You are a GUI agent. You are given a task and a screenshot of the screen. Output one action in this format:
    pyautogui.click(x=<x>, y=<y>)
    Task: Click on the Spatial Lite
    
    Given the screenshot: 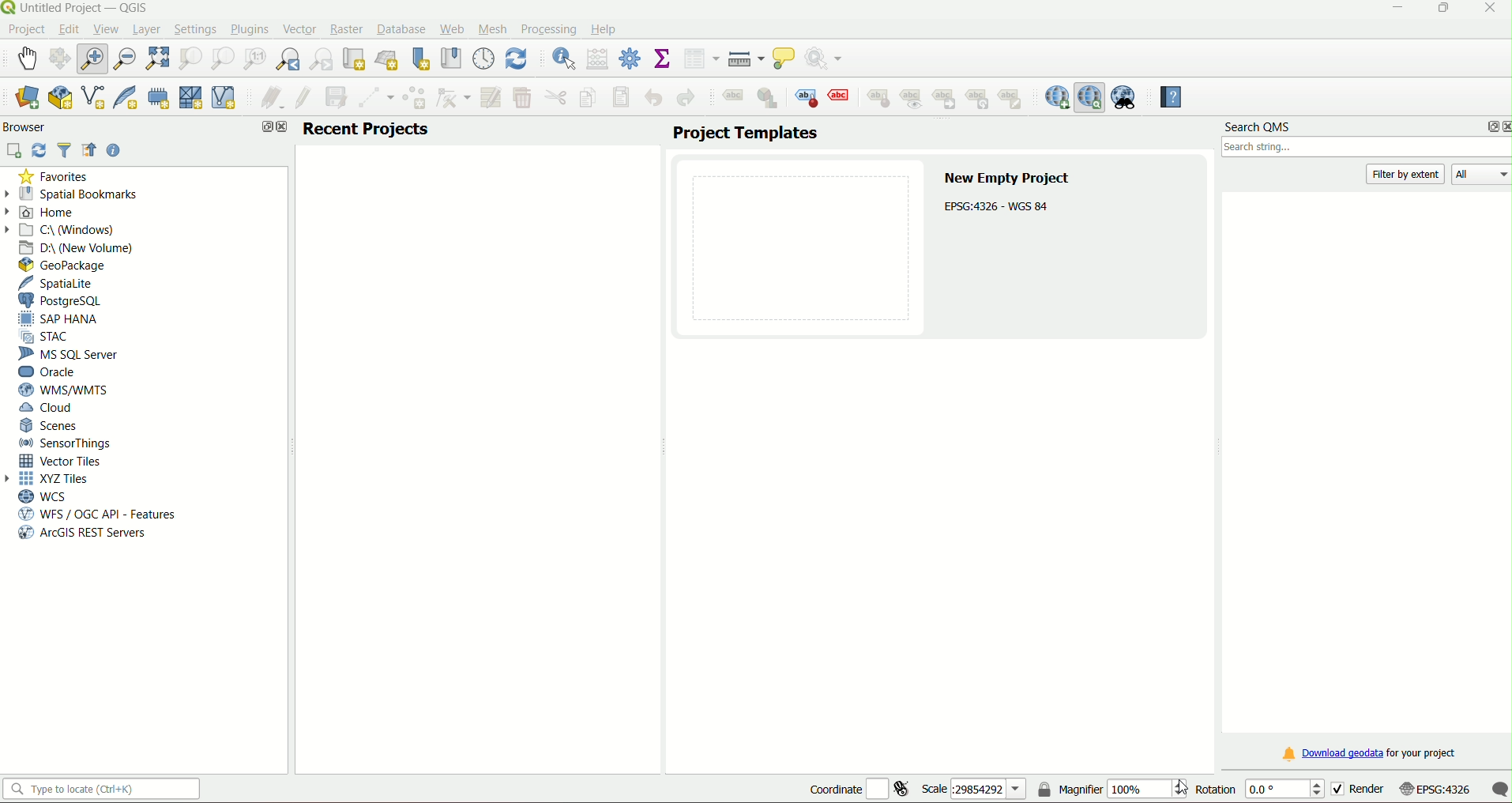 What is the action you would take?
    pyautogui.click(x=64, y=283)
    